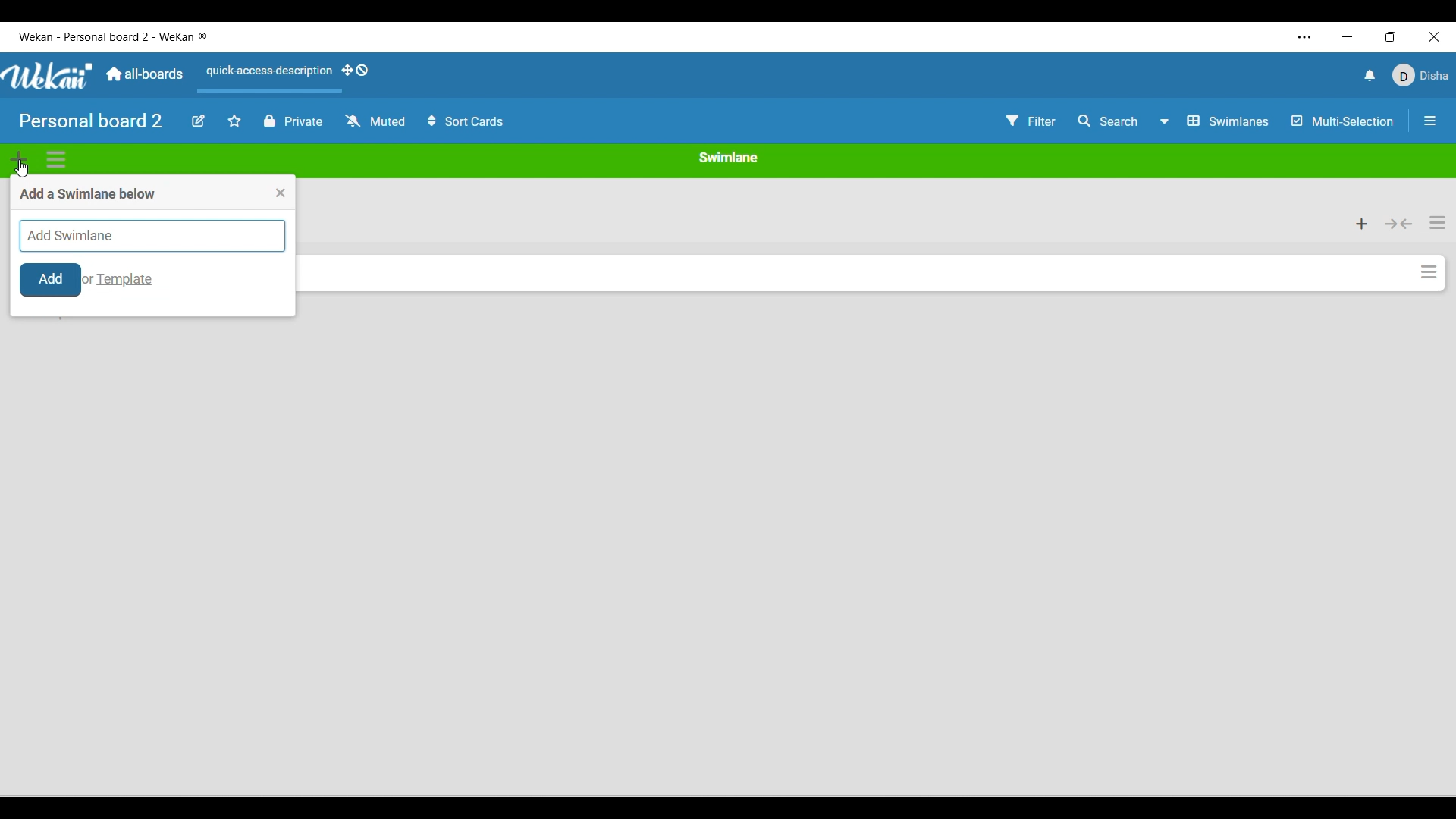  Describe the element at coordinates (234, 121) in the screenshot. I see `Star board` at that location.